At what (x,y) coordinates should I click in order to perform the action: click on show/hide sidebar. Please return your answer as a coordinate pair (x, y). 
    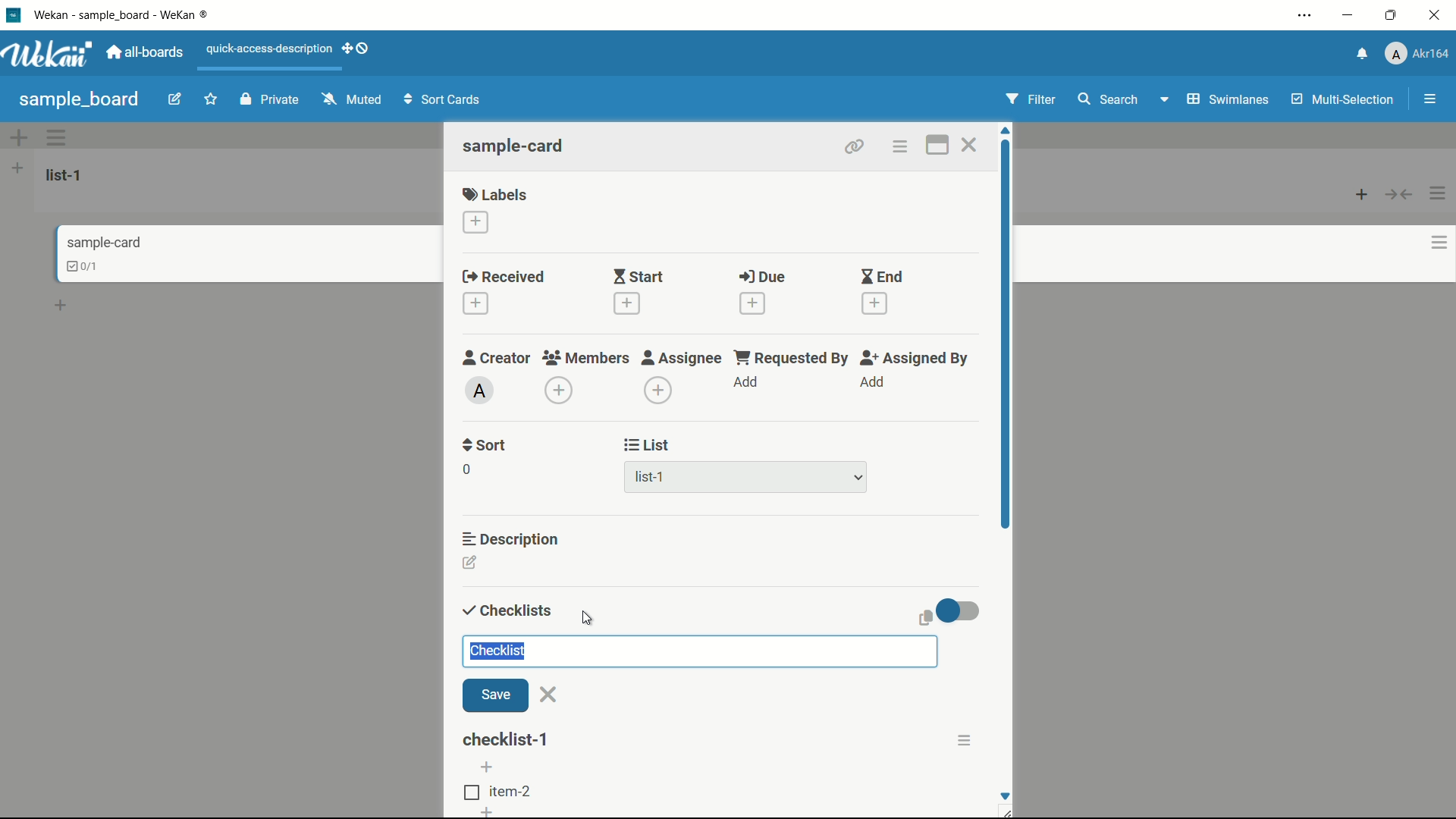
    Looking at the image, I should click on (1432, 99).